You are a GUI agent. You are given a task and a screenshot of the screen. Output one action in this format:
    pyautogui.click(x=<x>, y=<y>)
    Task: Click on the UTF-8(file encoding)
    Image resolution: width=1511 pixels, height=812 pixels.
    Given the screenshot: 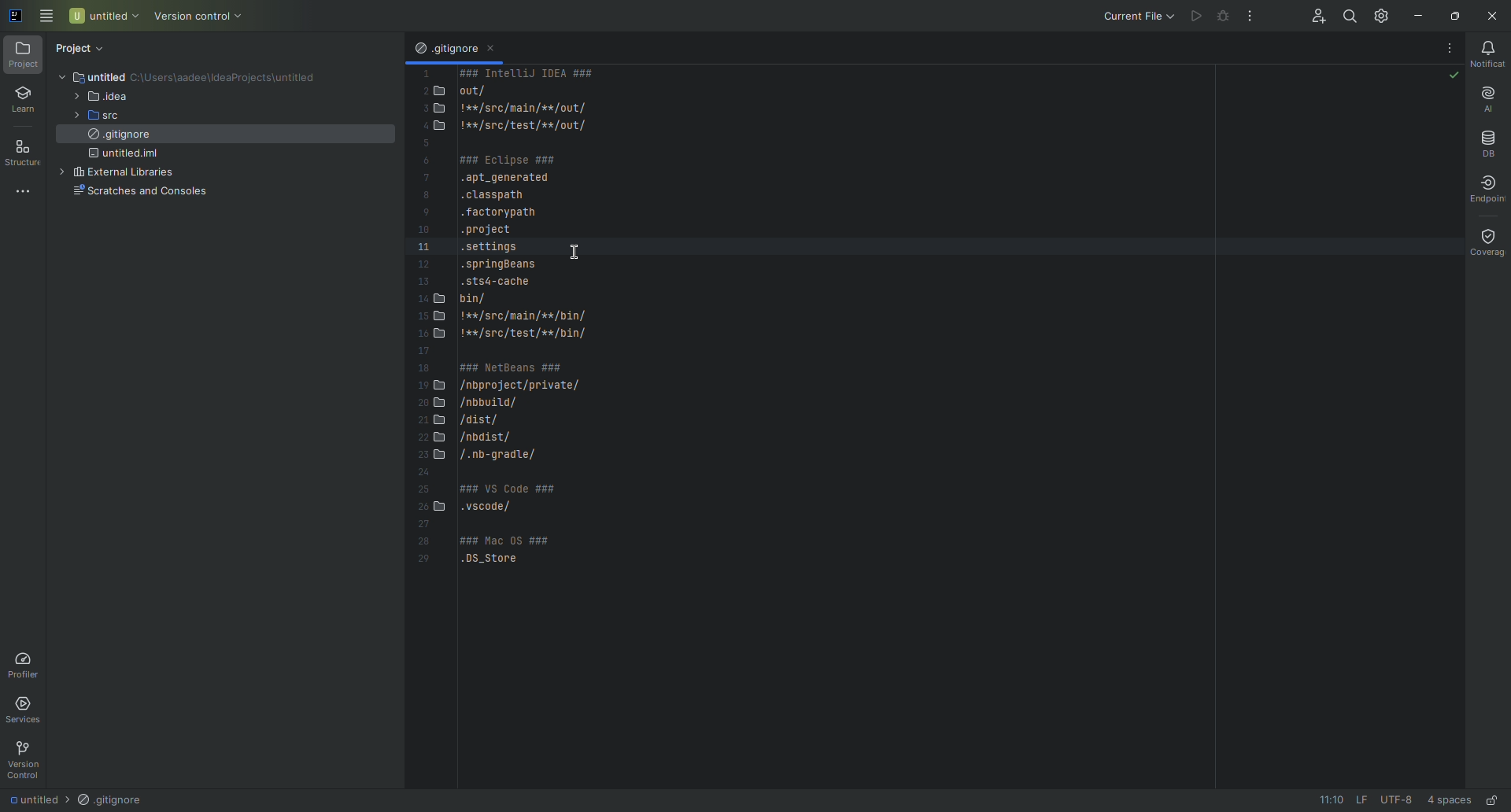 What is the action you would take?
    pyautogui.click(x=1396, y=800)
    